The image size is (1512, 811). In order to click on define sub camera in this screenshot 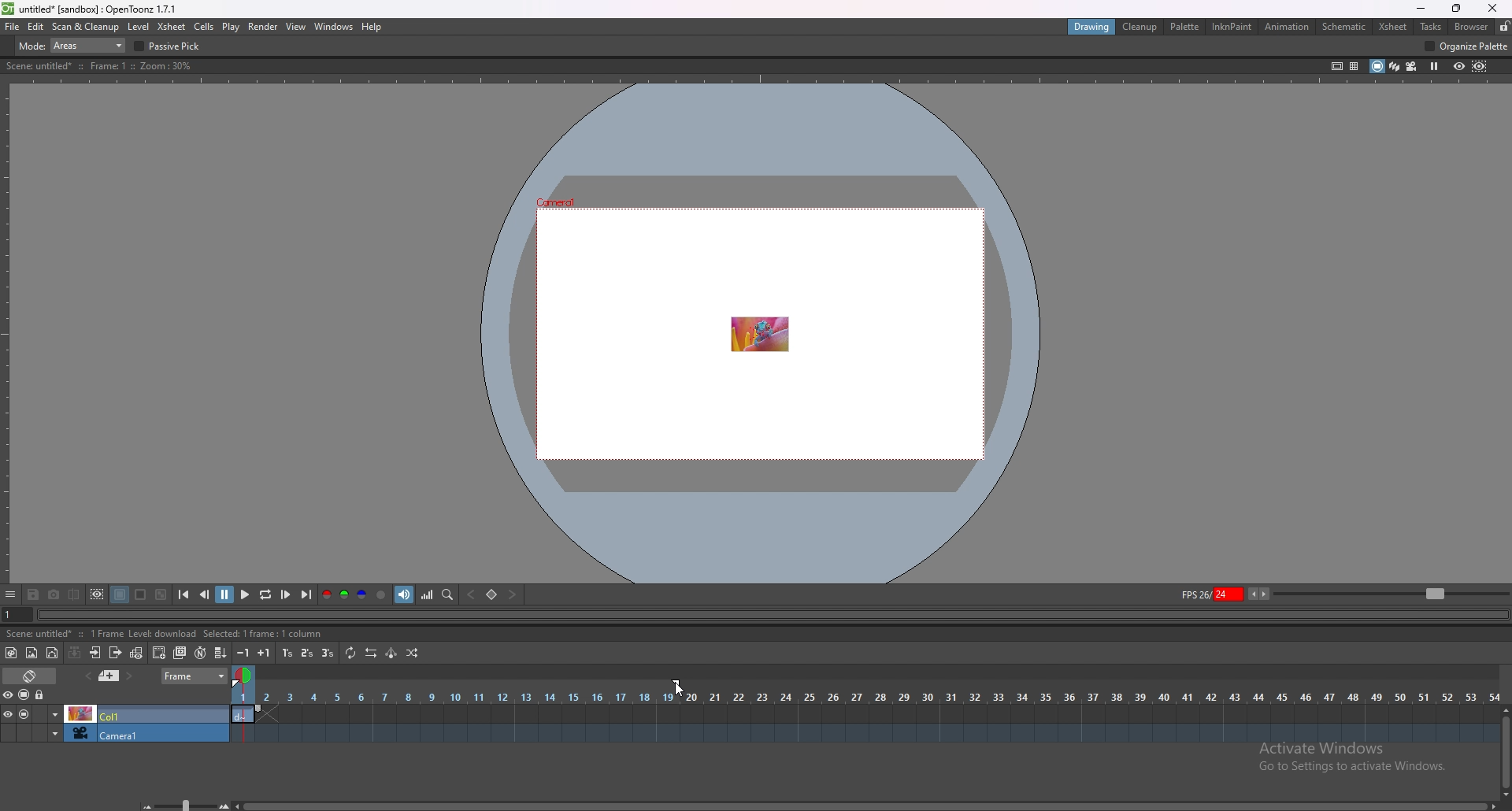, I will do `click(98, 594)`.